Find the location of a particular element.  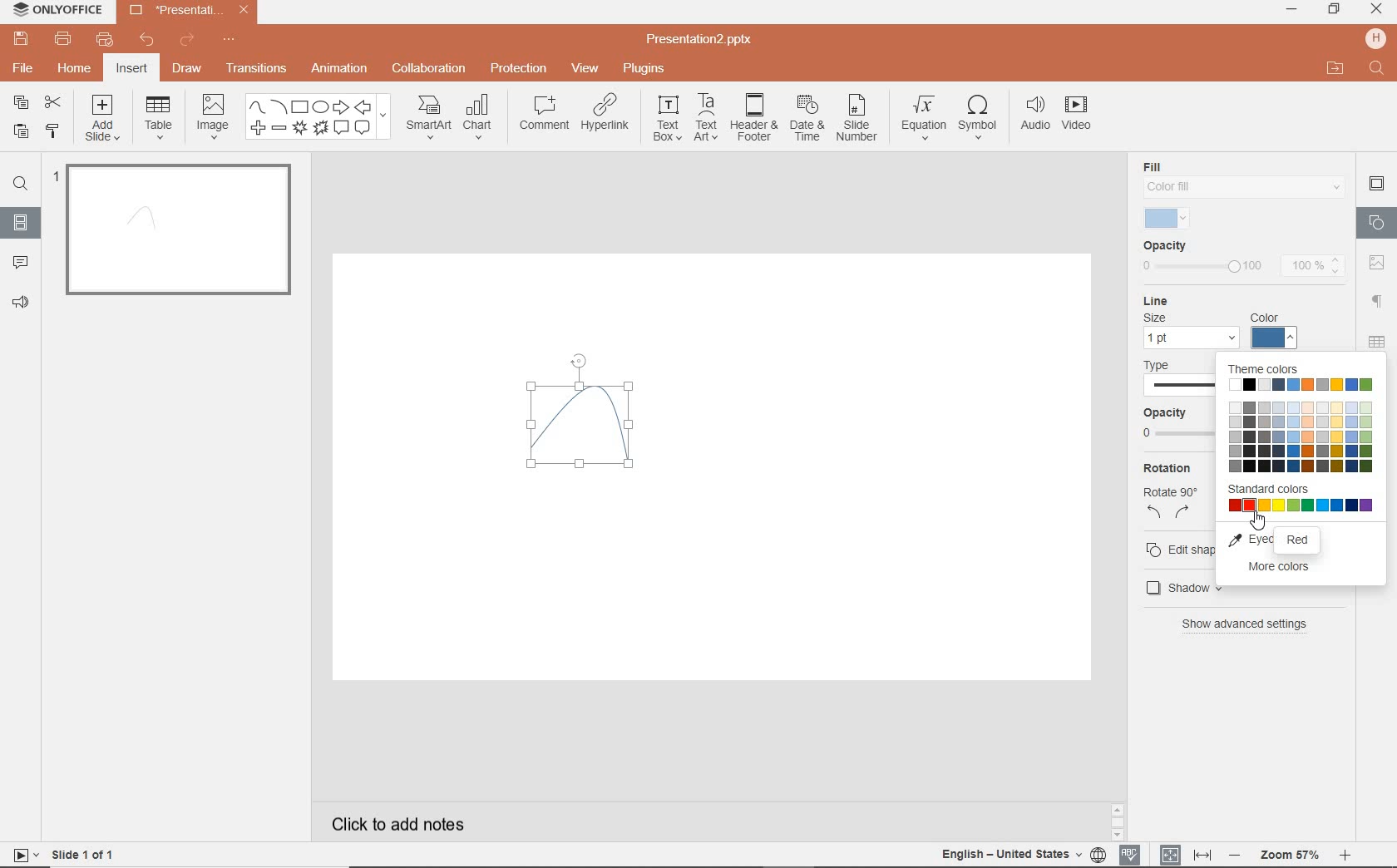

COMMENT is located at coordinates (542, 116).